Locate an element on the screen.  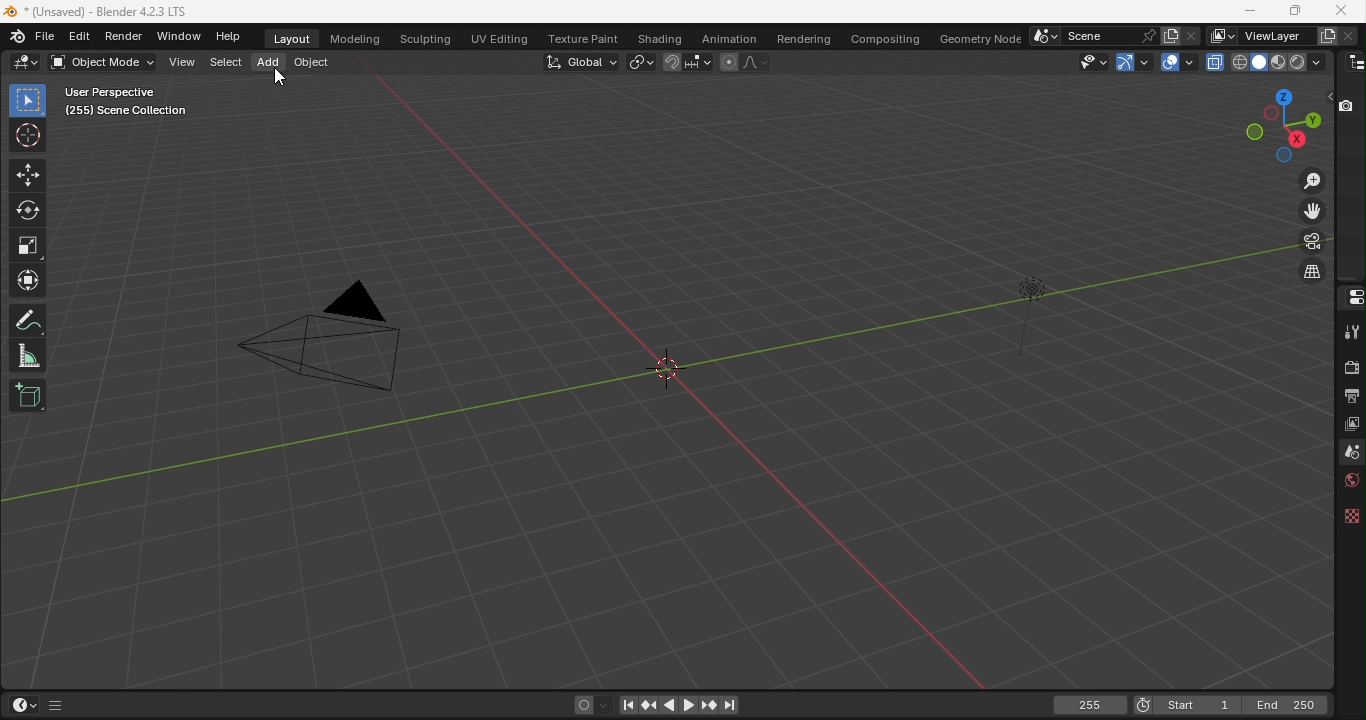
Pin scene in the workspace is located at coordinates (1146, 35).